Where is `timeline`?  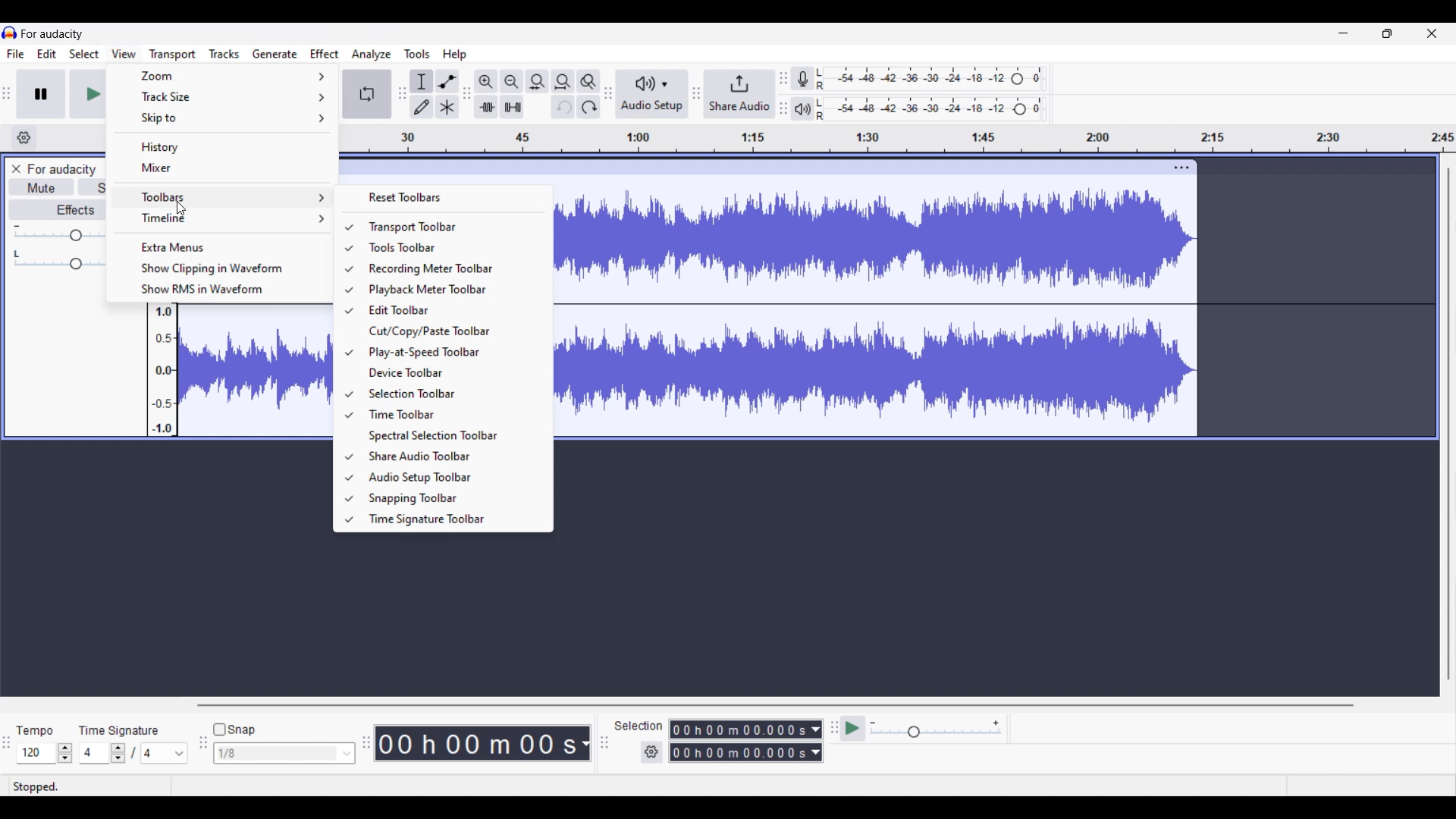 timeline is located at coordinates (899, 140).